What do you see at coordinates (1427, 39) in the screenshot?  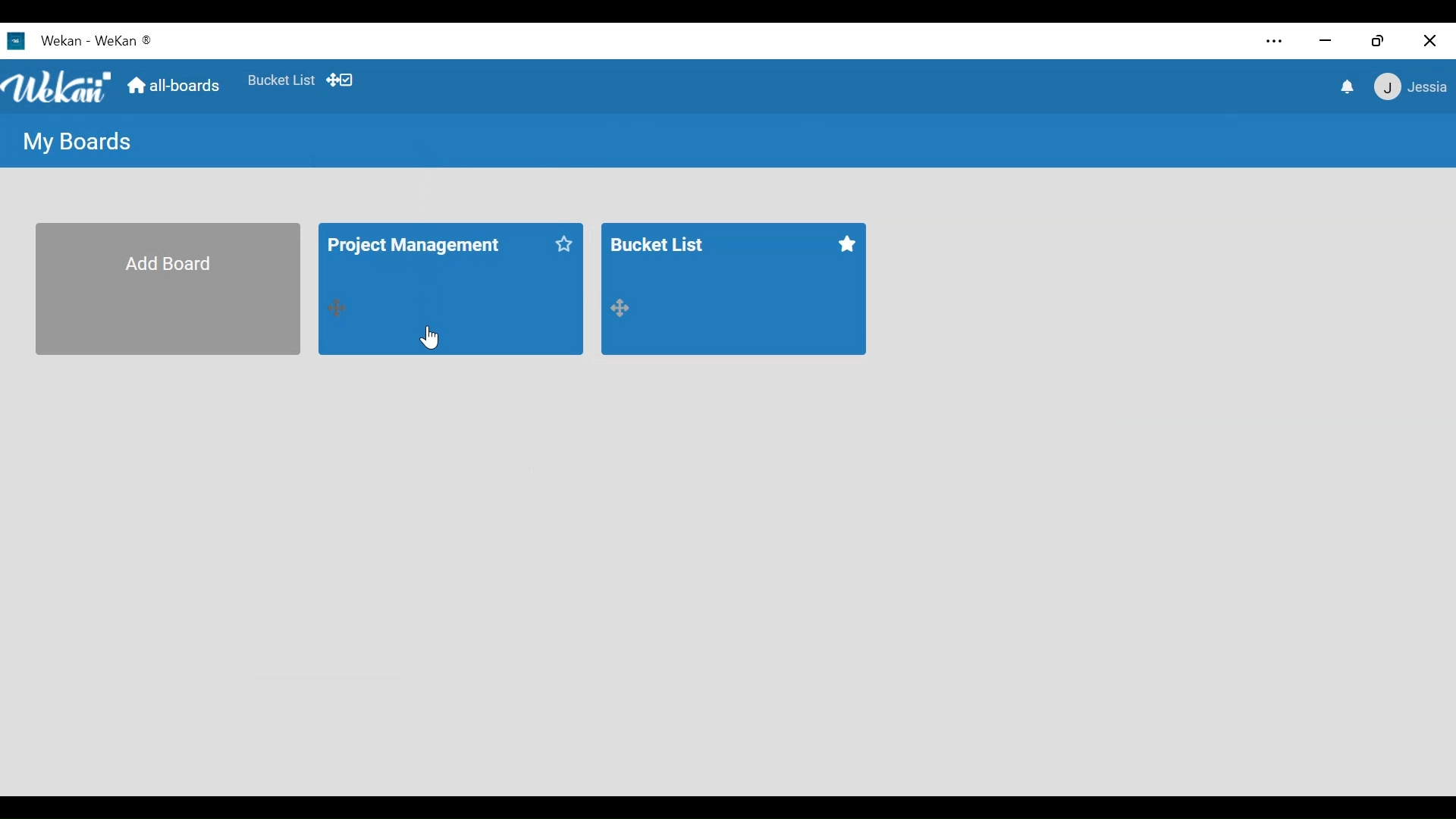 I see `Close` at bounding box center [1427, 39].